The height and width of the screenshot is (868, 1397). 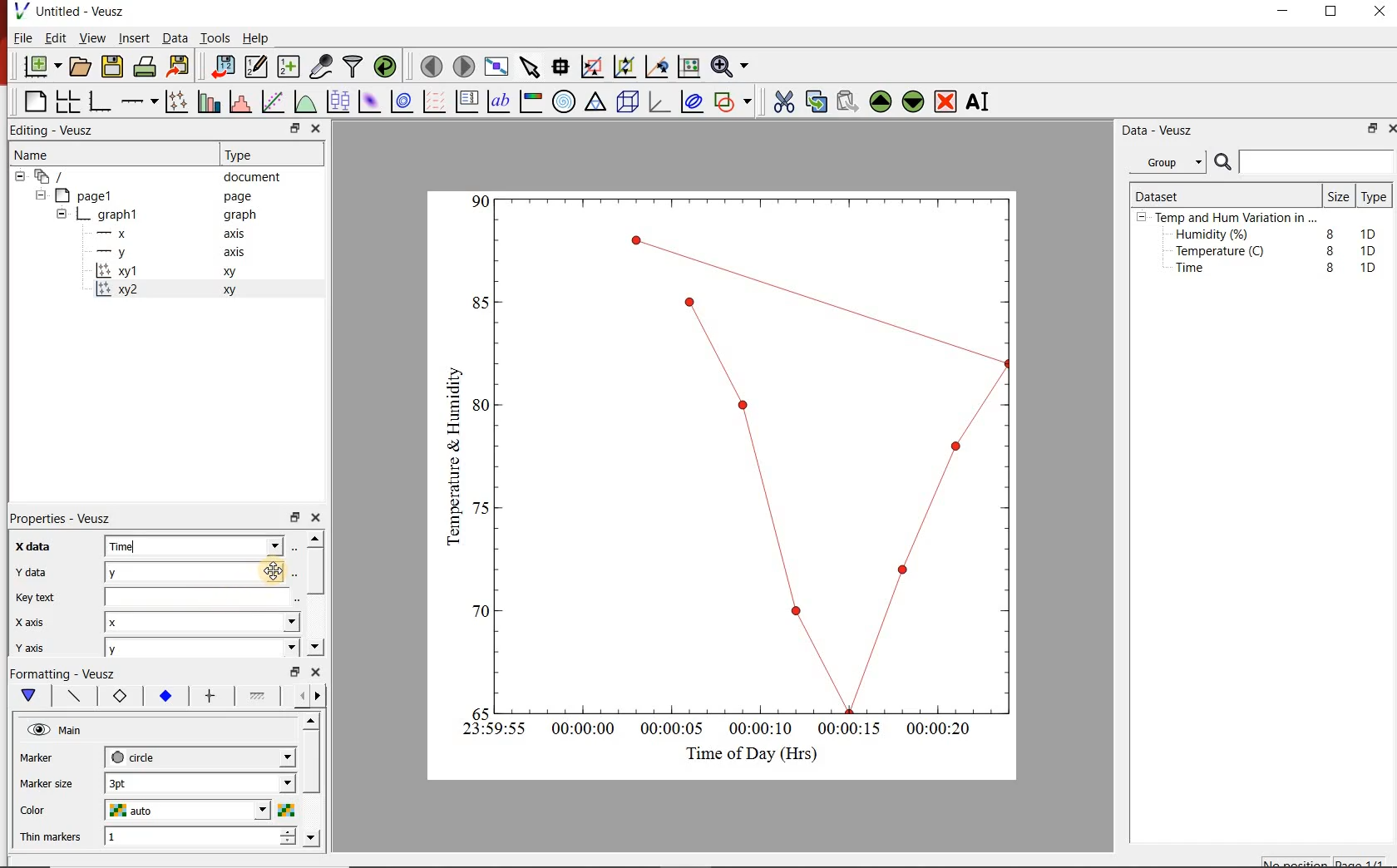 What do you see at coordinates (1372, 232) in the screenshot?
I see `1D` at bounding box center [1372, 232].